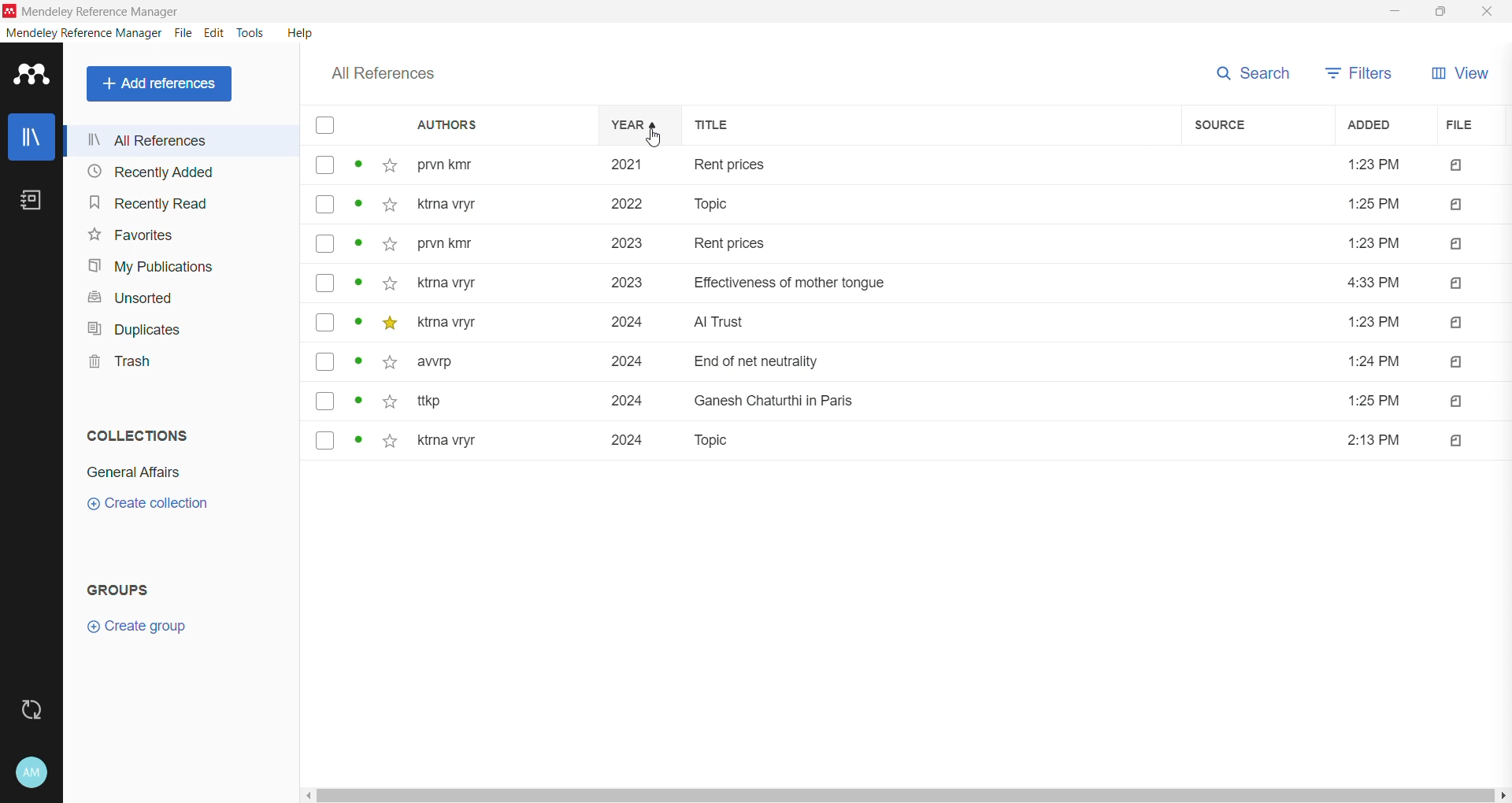 Image resolution: width=1512 pixels, height=803 pixels. What do you see at coordinates (446, 168) in the screenshot?
I see `prvn kmr` at bounding box center [446, 168].